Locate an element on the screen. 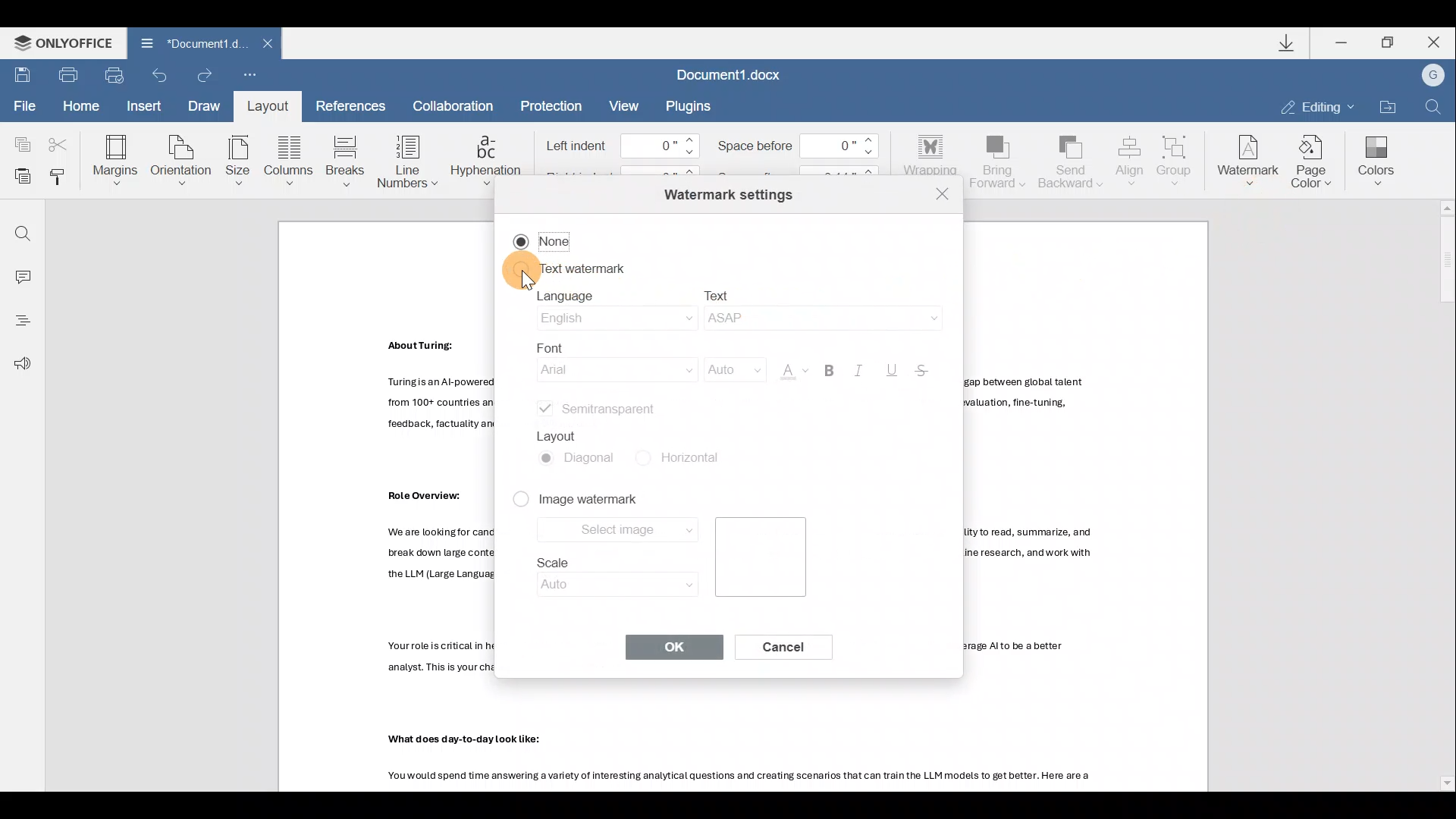  Feedback & support is located at coordinates (21, 365).